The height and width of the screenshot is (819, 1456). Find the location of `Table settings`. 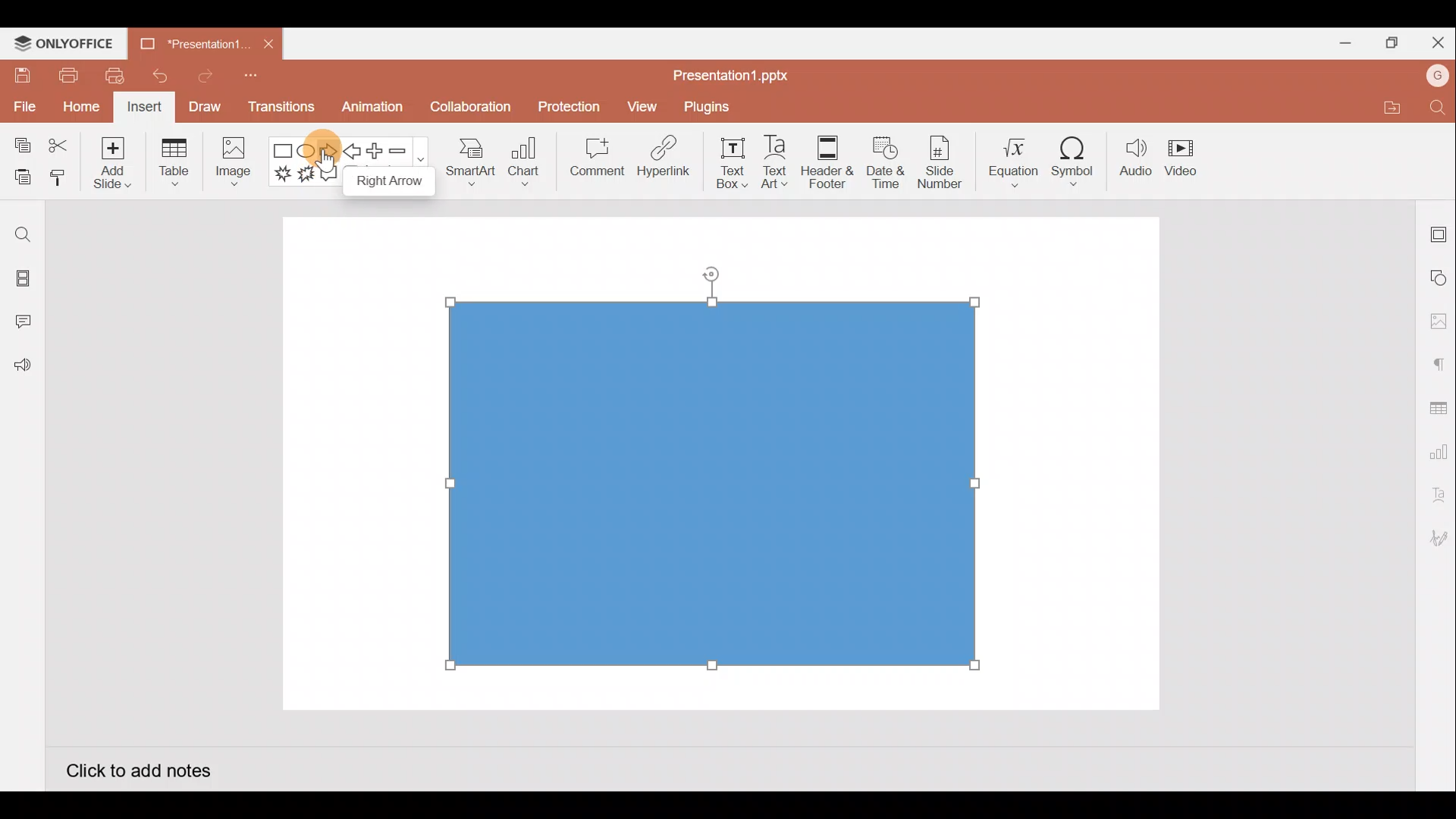

Table settings is located at coordinates (1435, 406).